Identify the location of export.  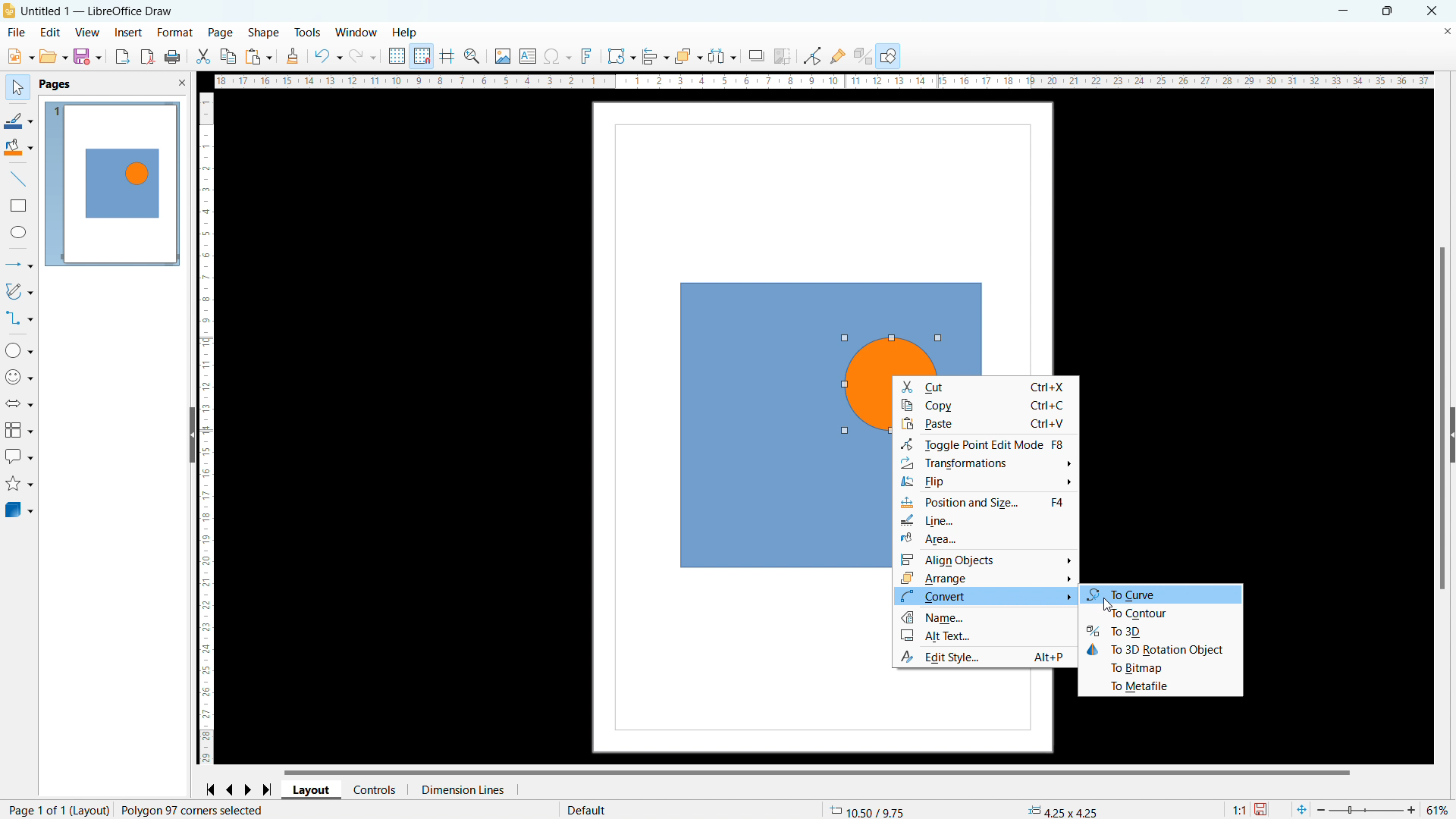
(123, 57).